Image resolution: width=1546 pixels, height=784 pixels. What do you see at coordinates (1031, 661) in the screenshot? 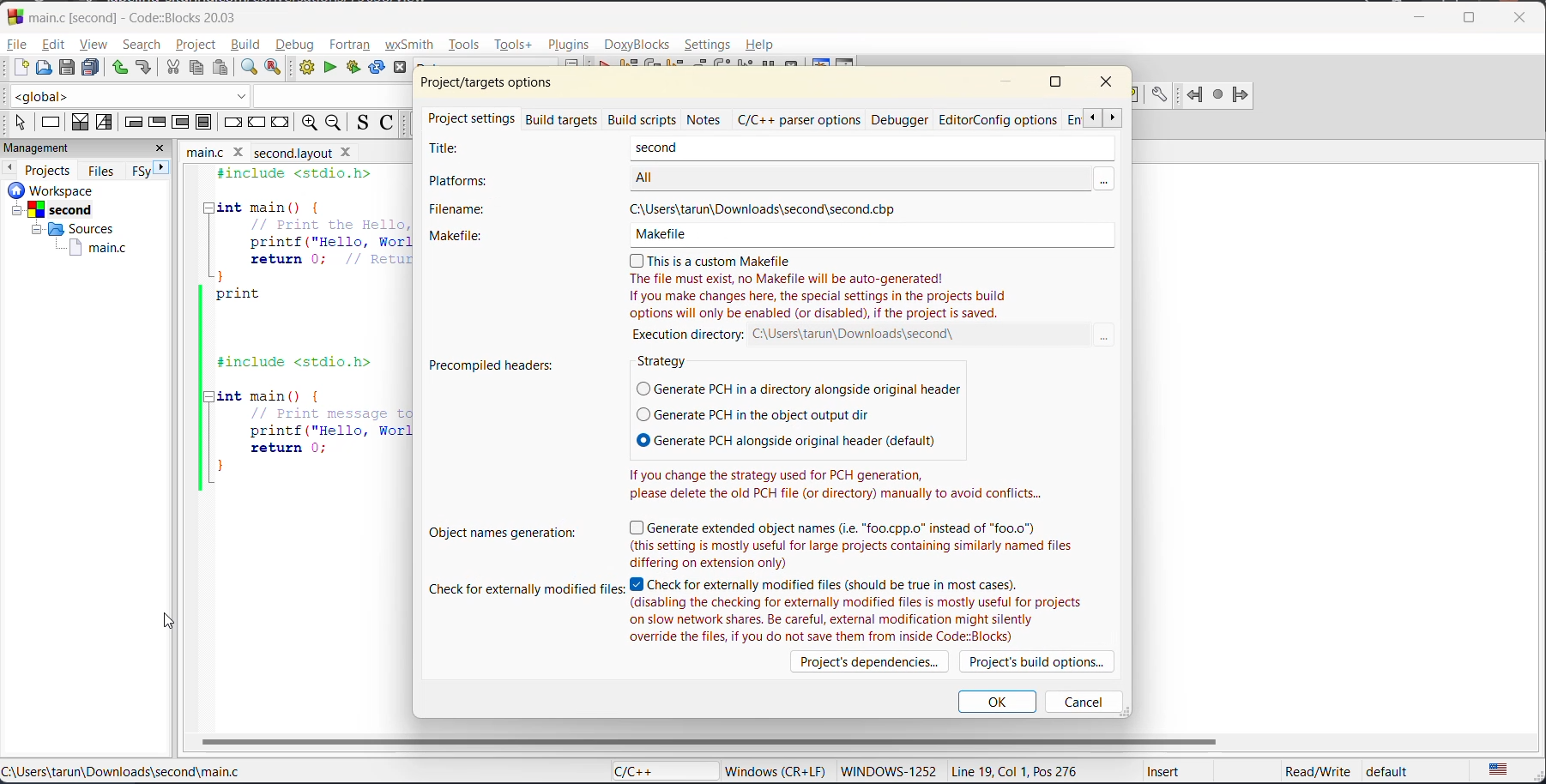
I see `project build options` at bounding box center [1031, 661].